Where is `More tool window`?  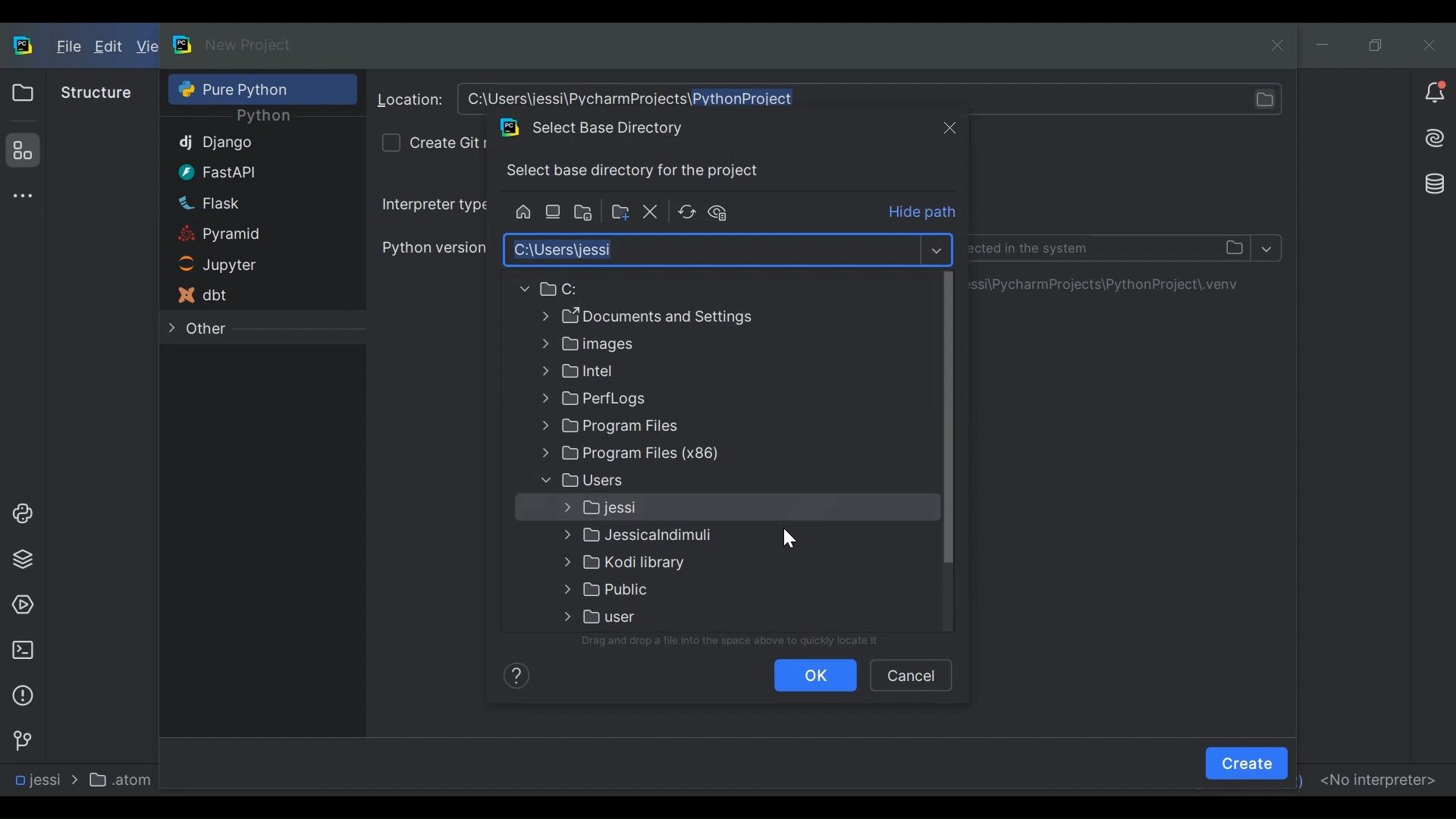
More tool window is located at coordinates (20, 196).